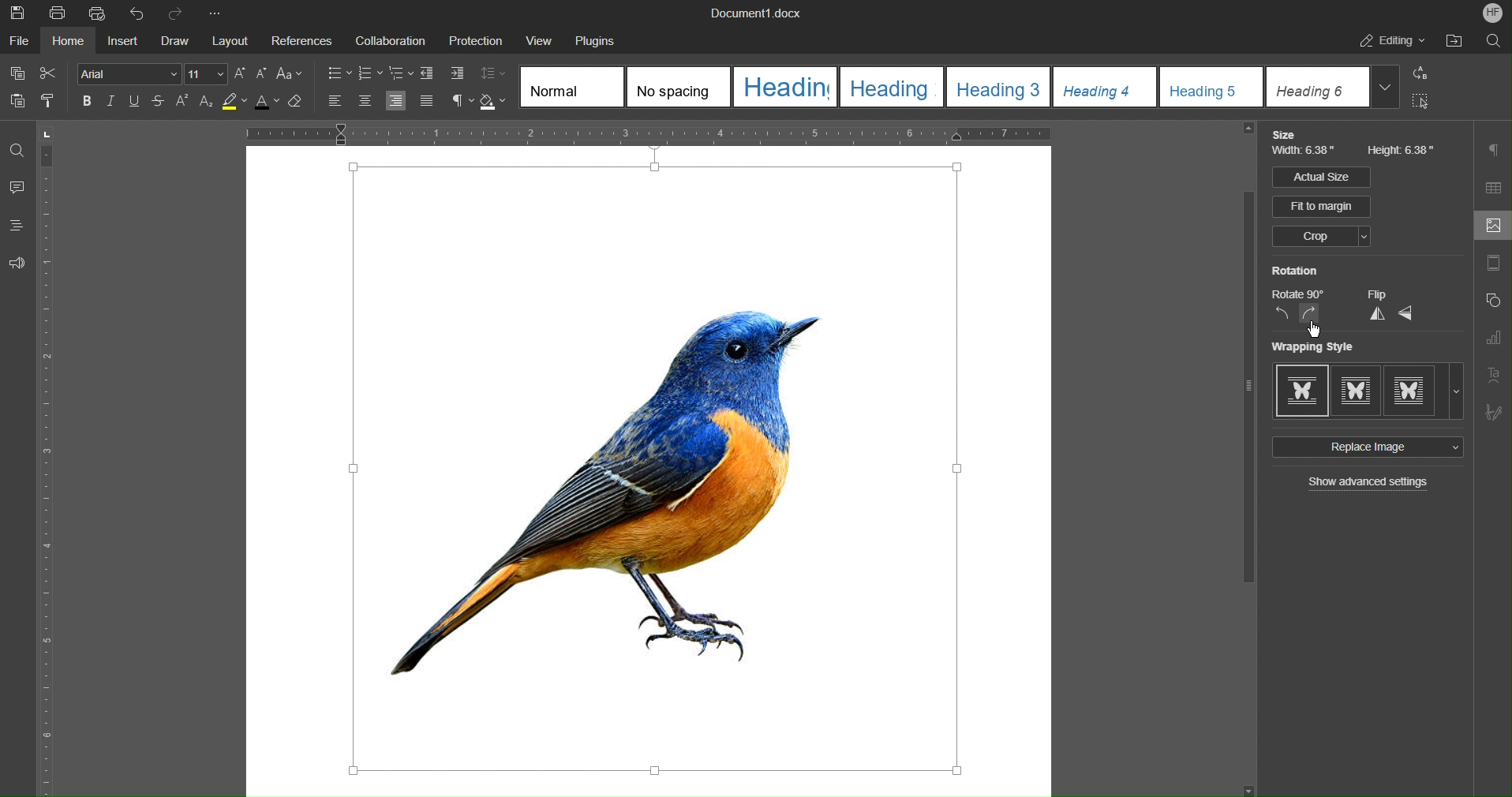 The width and height of the screenshot is (1512, 797). I want to click on Table, so click(1493, 186).